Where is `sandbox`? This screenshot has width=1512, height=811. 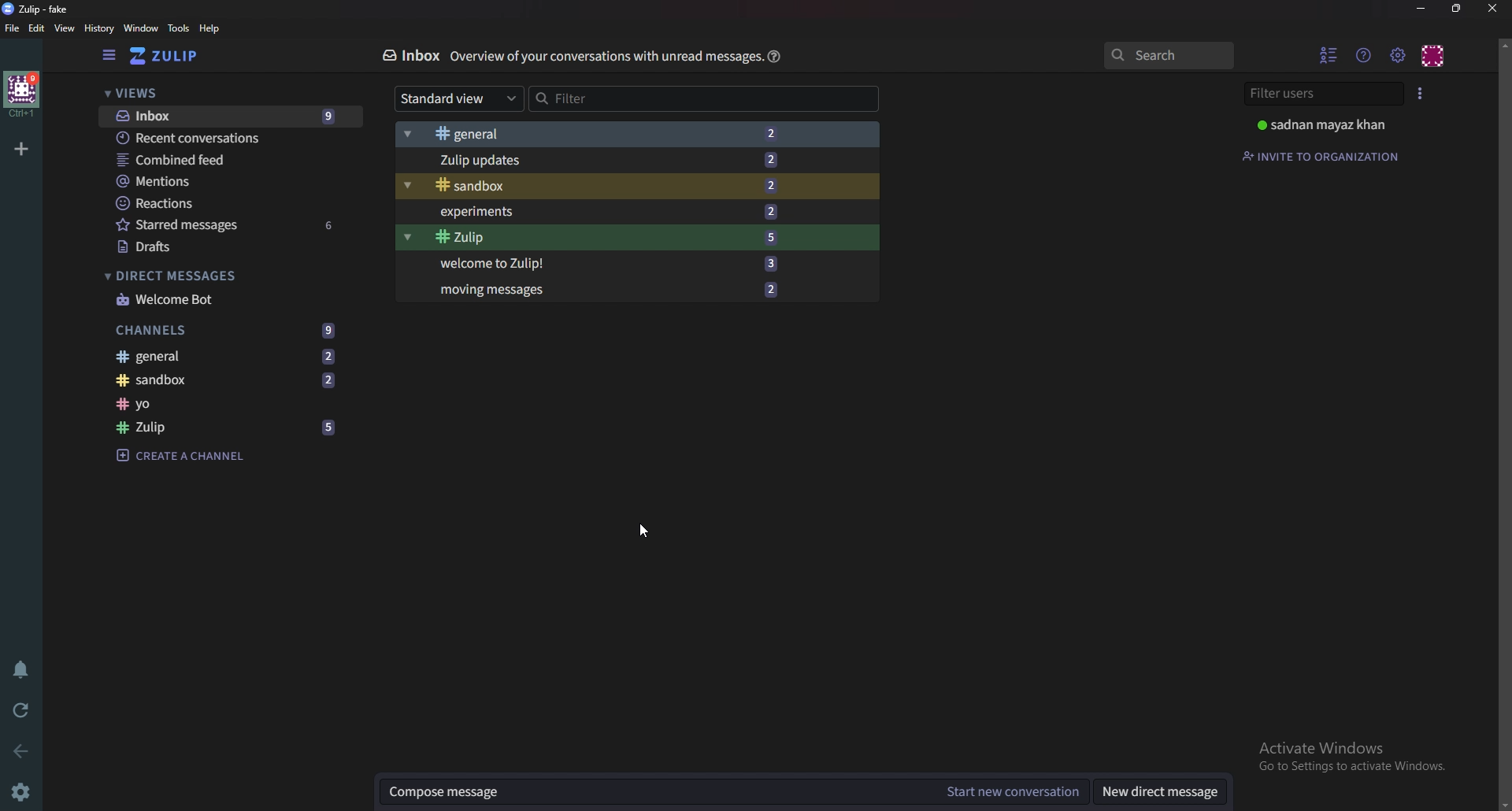 sandbox is located at coordinates (223, 381).